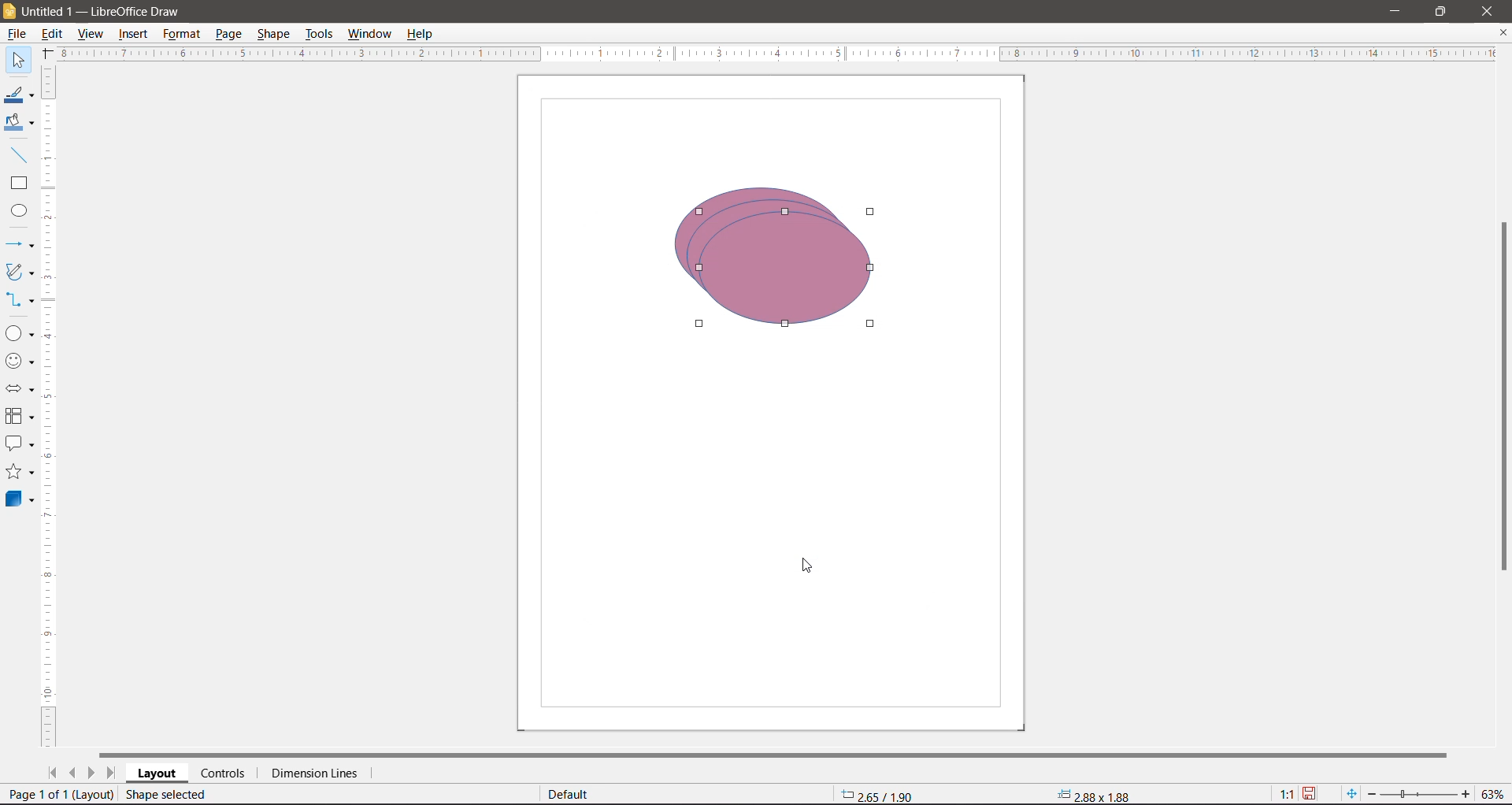  I want to click on current page, so click(60, 792).